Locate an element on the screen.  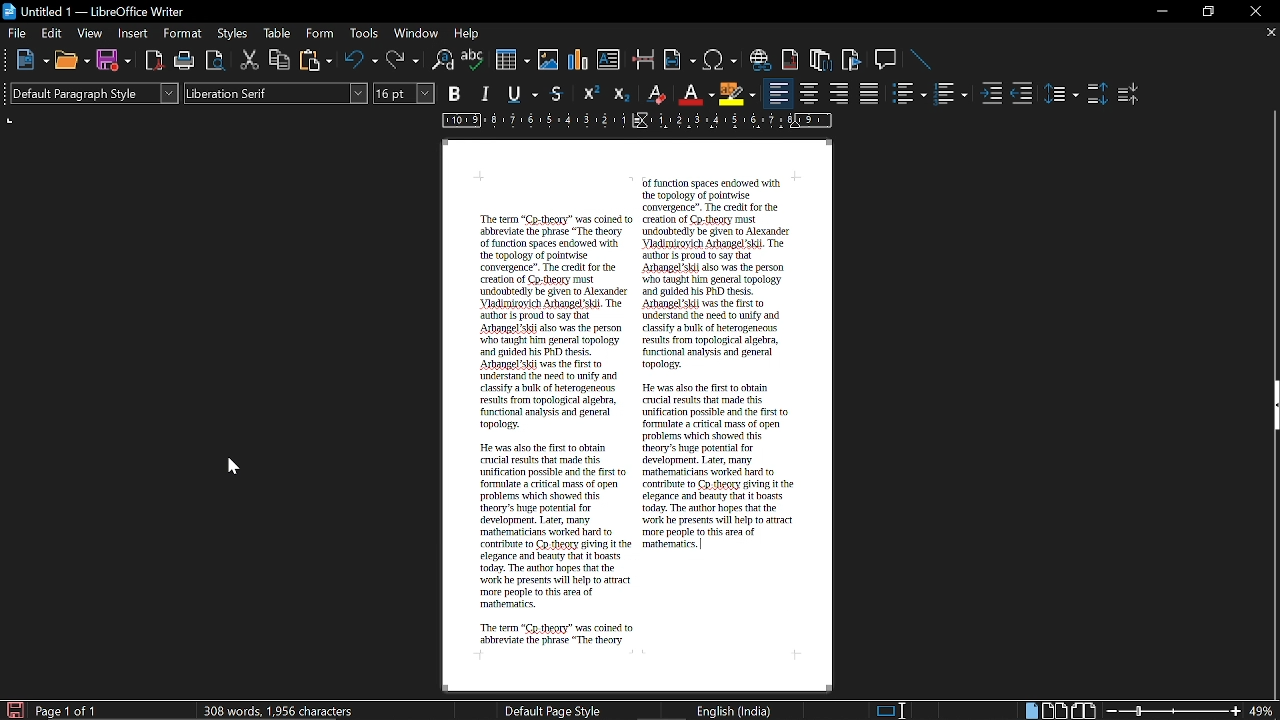
Decrease indent is located at coordinates (1026, 93).